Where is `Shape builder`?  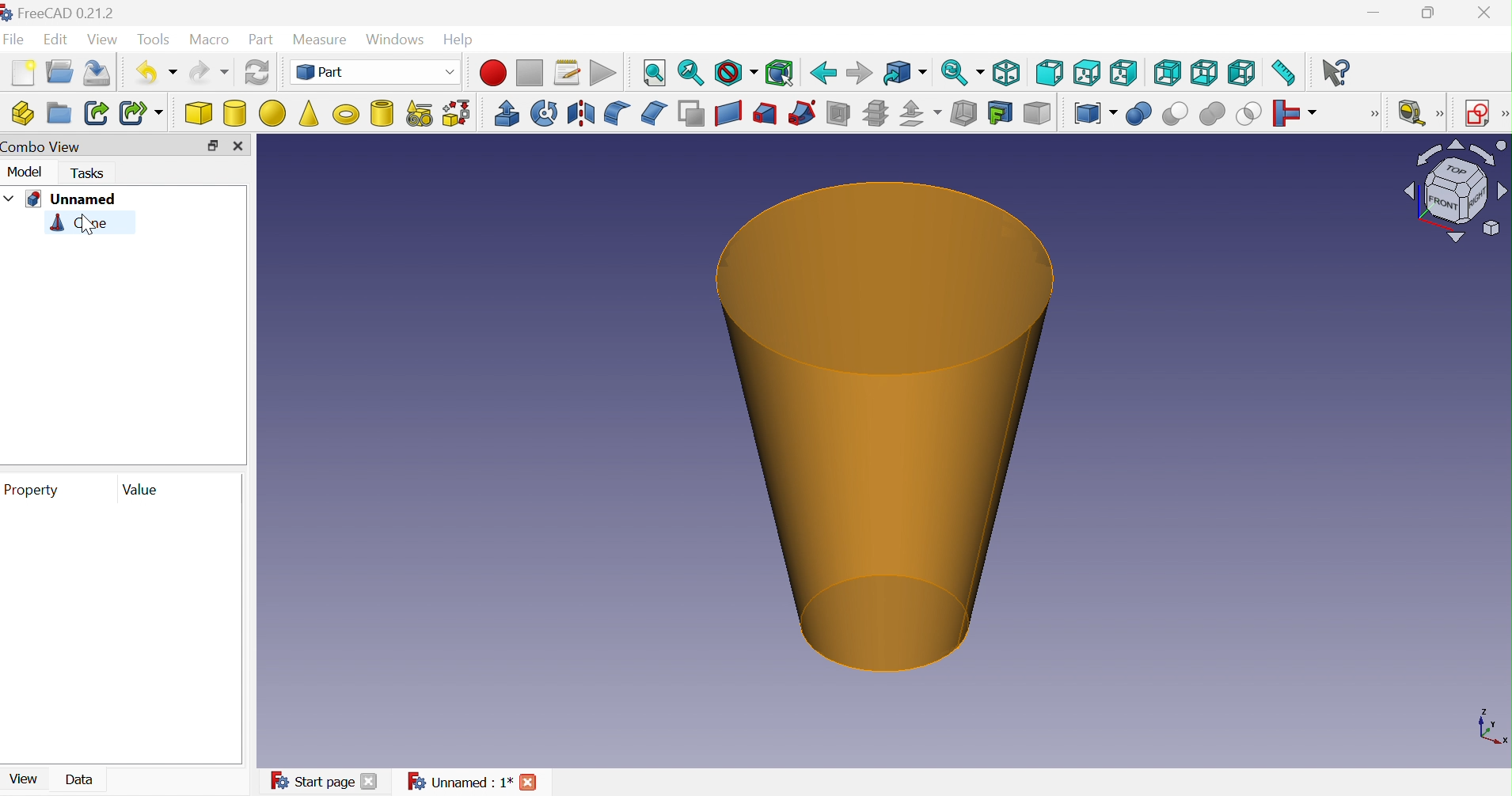
Shape builder is located at coordinates (460, 112).